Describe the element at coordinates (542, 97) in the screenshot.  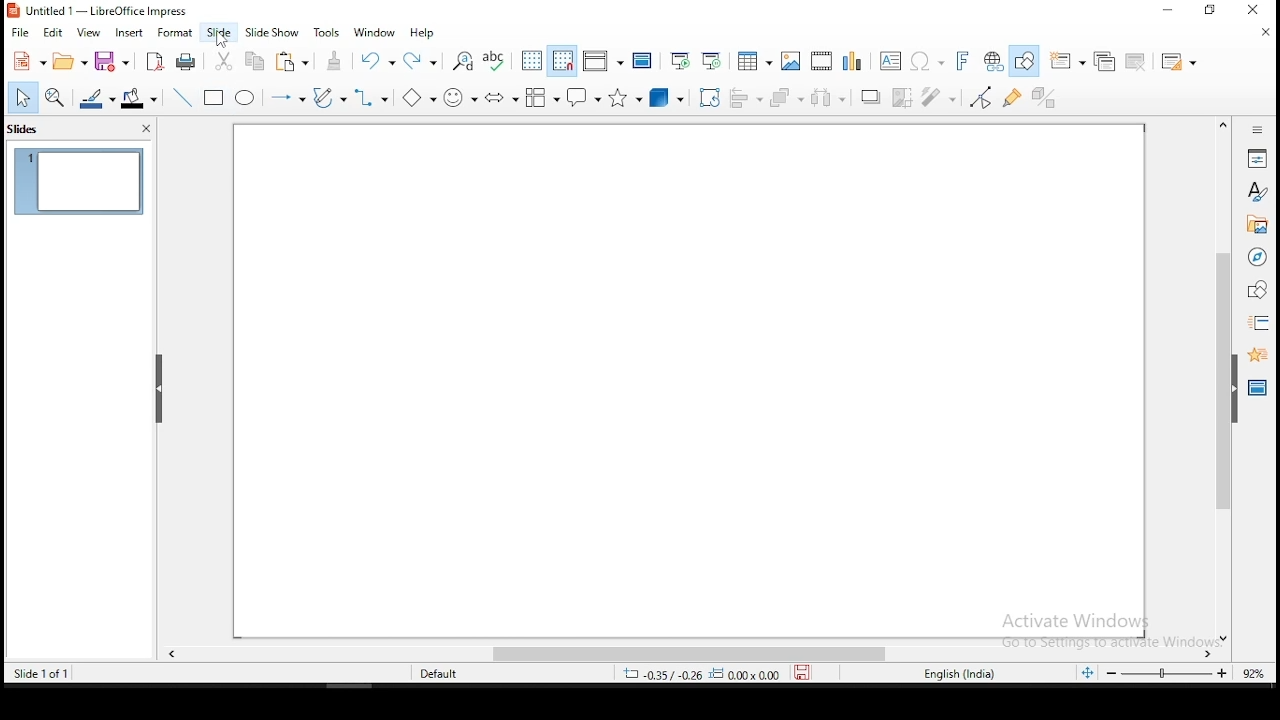
I see `flowchart` at that location.